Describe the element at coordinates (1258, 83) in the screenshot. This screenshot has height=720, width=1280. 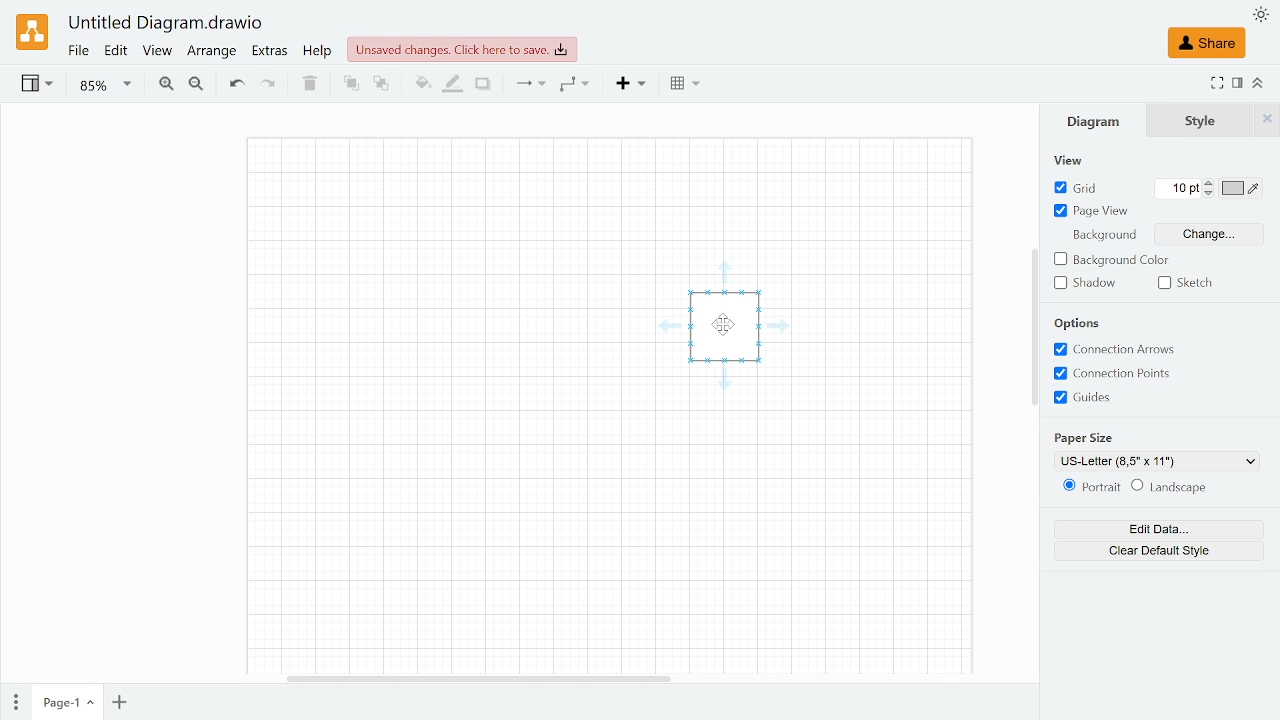
I see `Collapse /expamd` at that location.